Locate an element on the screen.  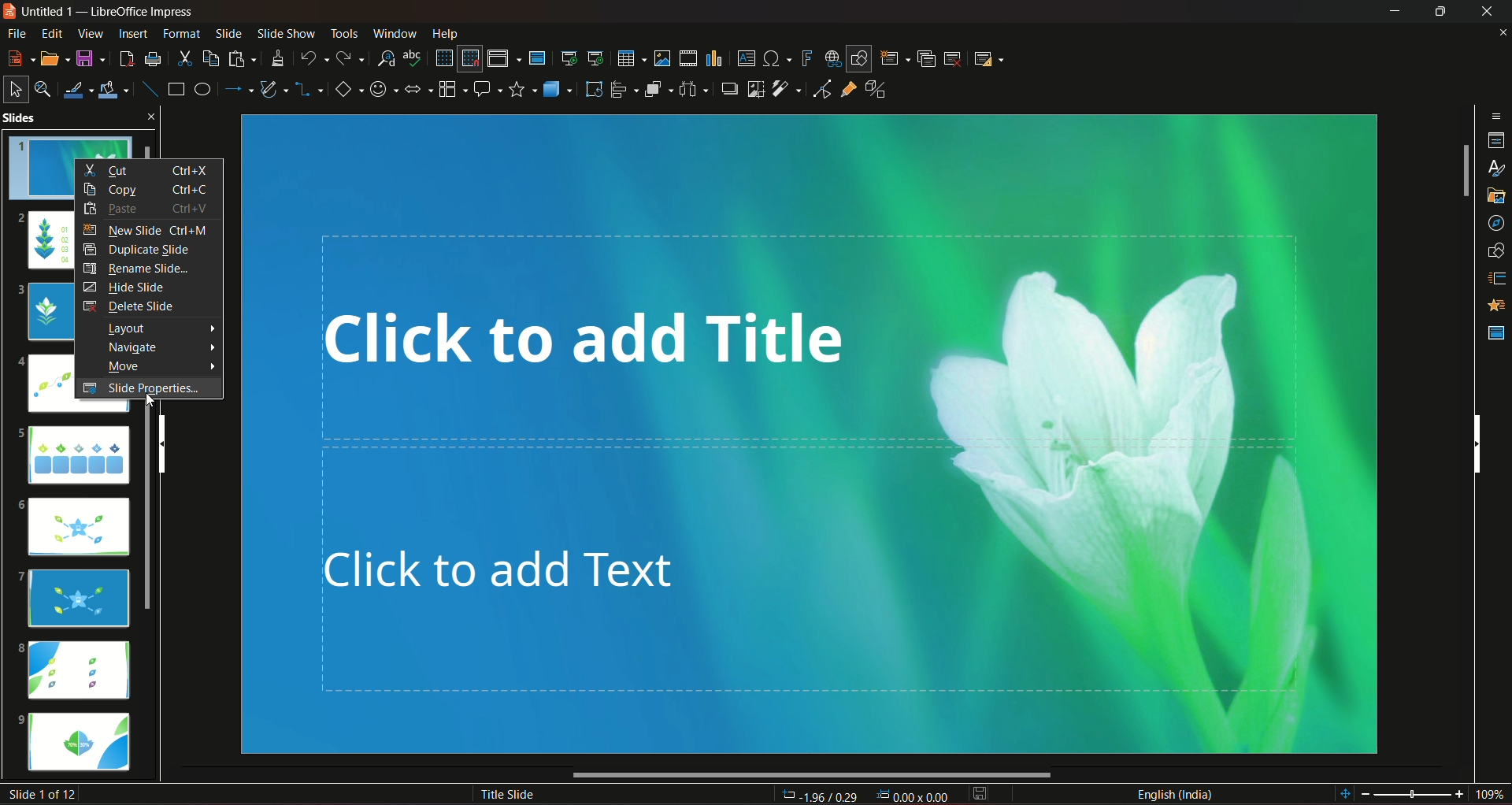
connectors is located at coordinates (309, 90).